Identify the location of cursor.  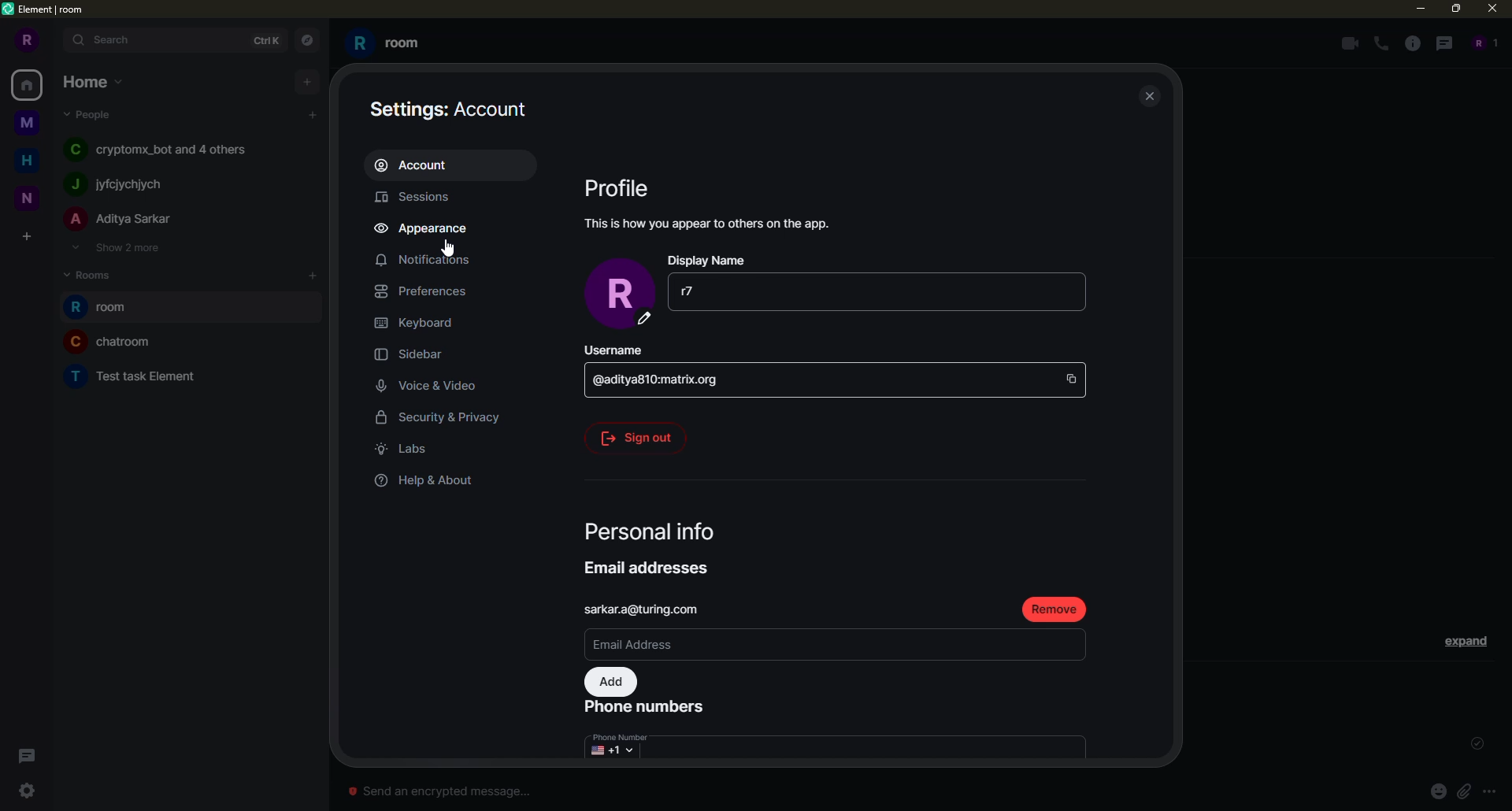
(448, 249).